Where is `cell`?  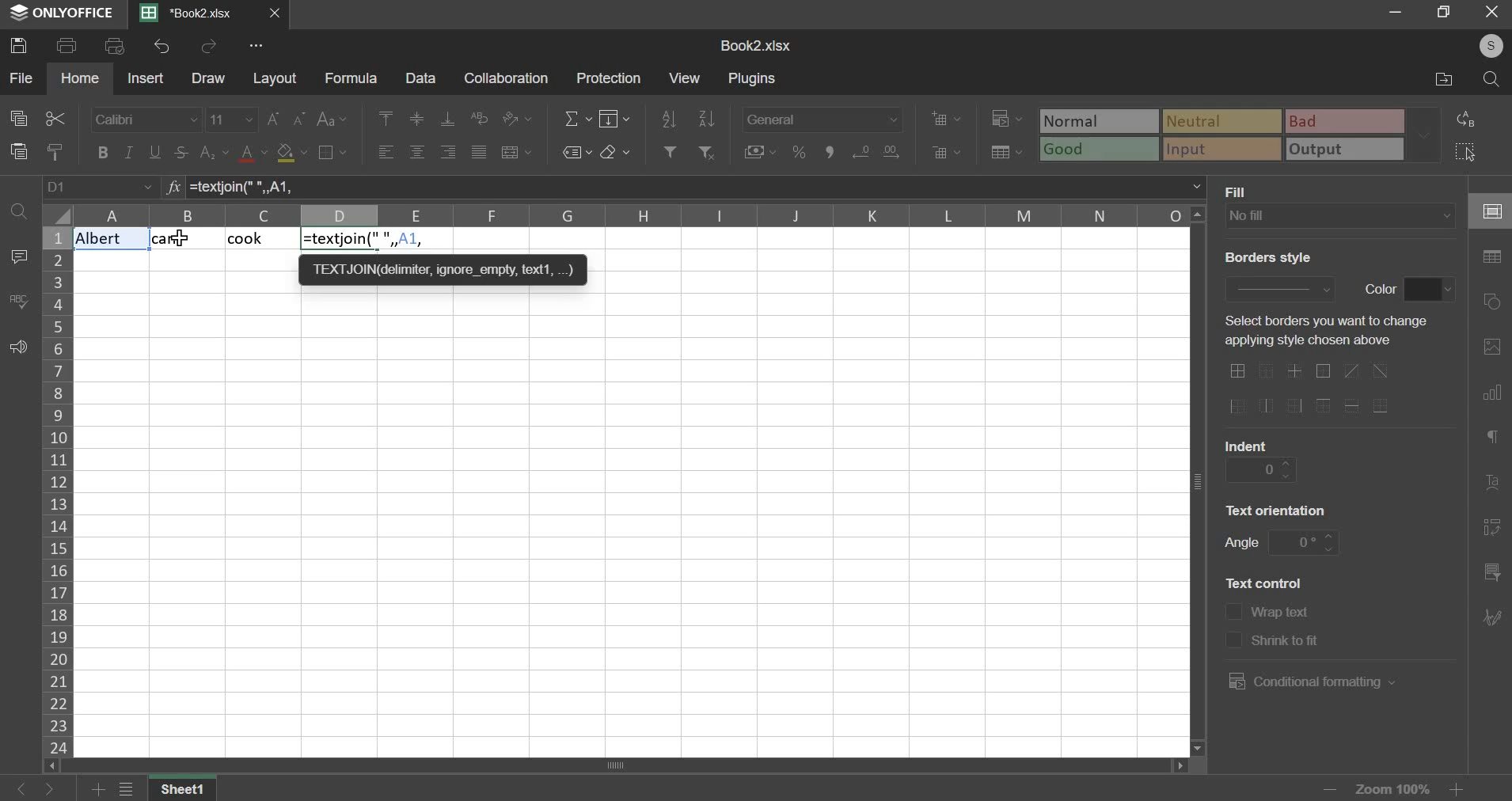
cell is located at coordinates (1490, 212).